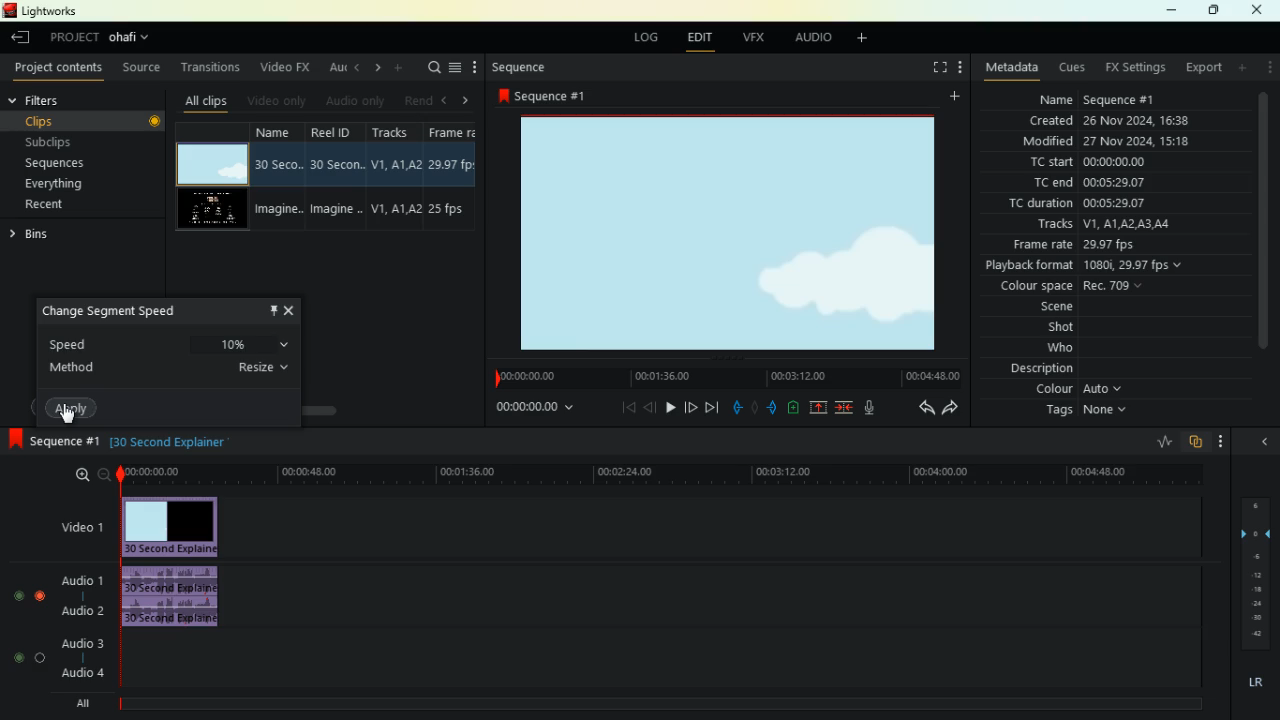  I want to click on time, so click(722, 376).